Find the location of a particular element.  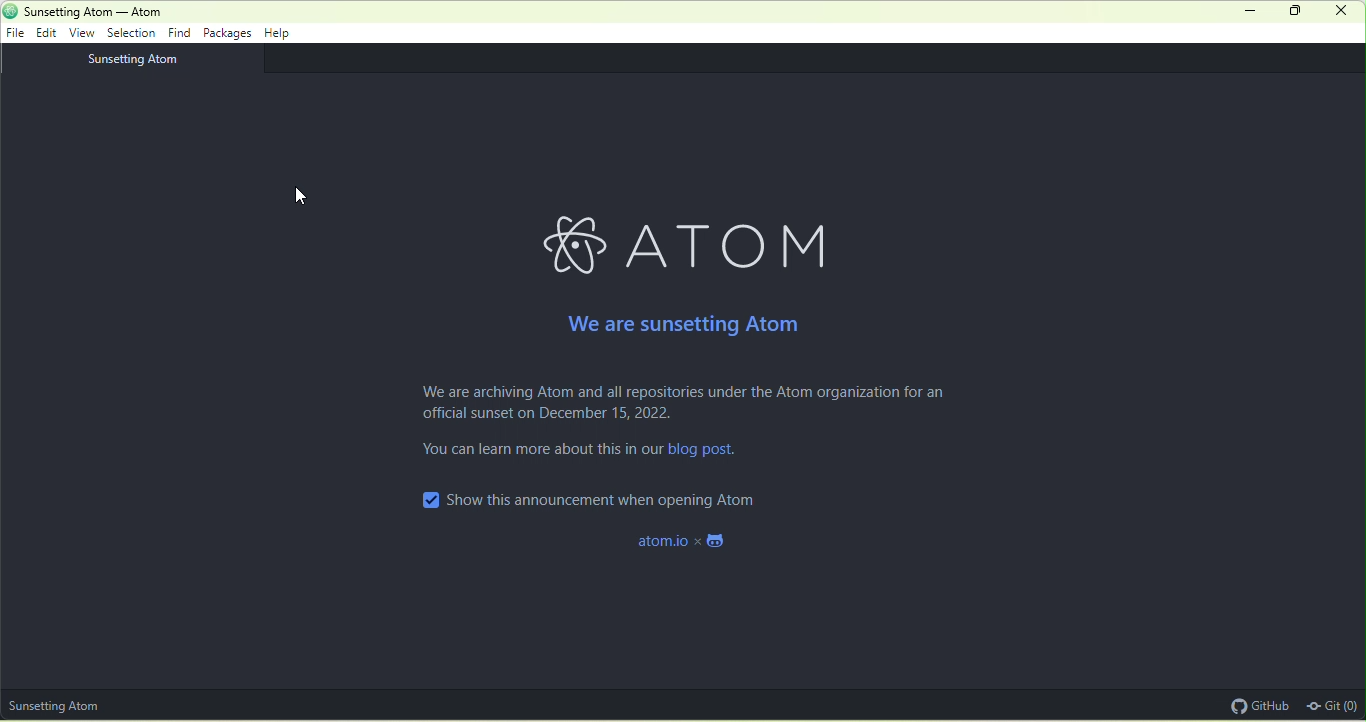

edit is located at coordinates (50, 34).